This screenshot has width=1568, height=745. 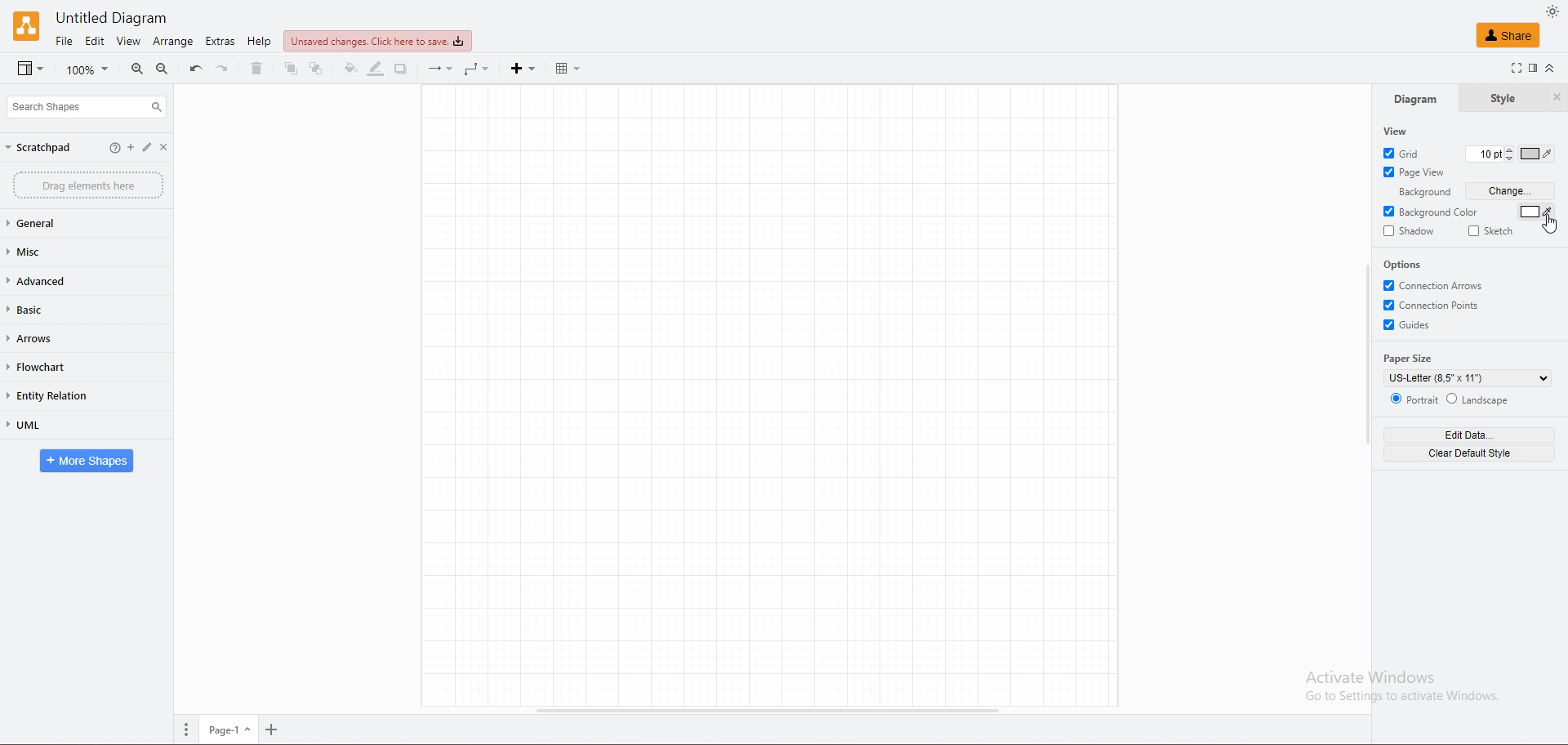 I want to click on view, so click(x=31, y=69).